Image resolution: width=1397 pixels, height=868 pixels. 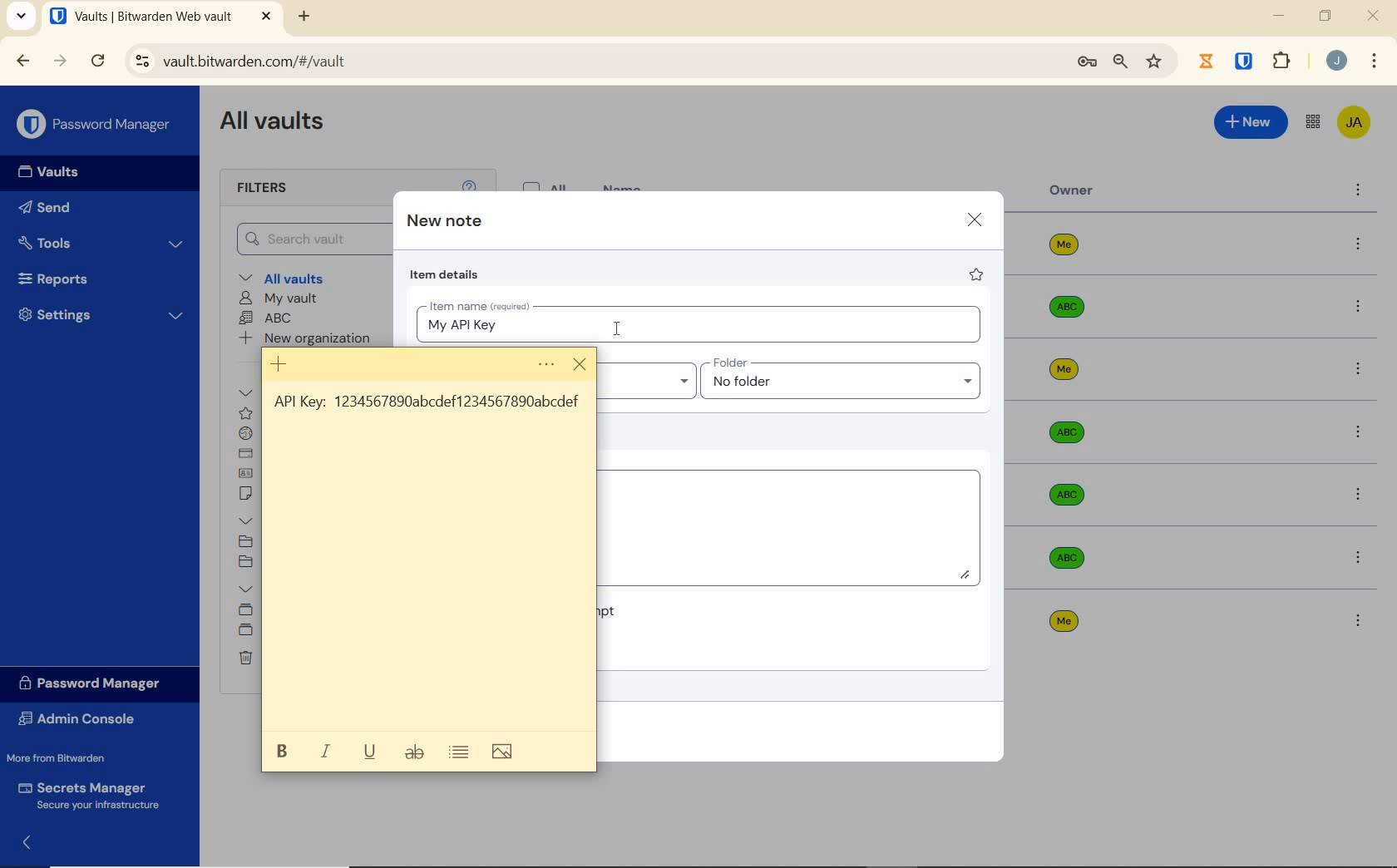 I want to click on Input folder name, so click(x=844, y=379).